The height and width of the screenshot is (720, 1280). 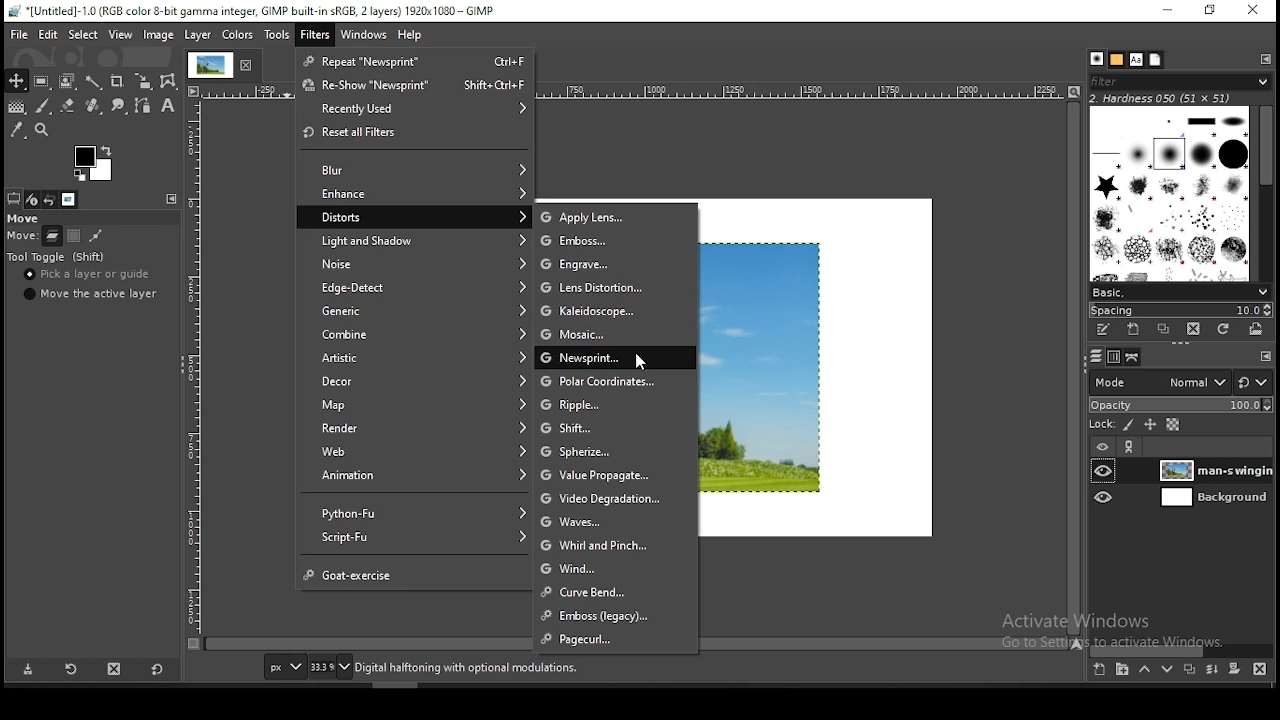 What do you see at coordinates (23, 234) in the screenshot?
I see `scale (horizontal)` at bounding box center [23, 234].